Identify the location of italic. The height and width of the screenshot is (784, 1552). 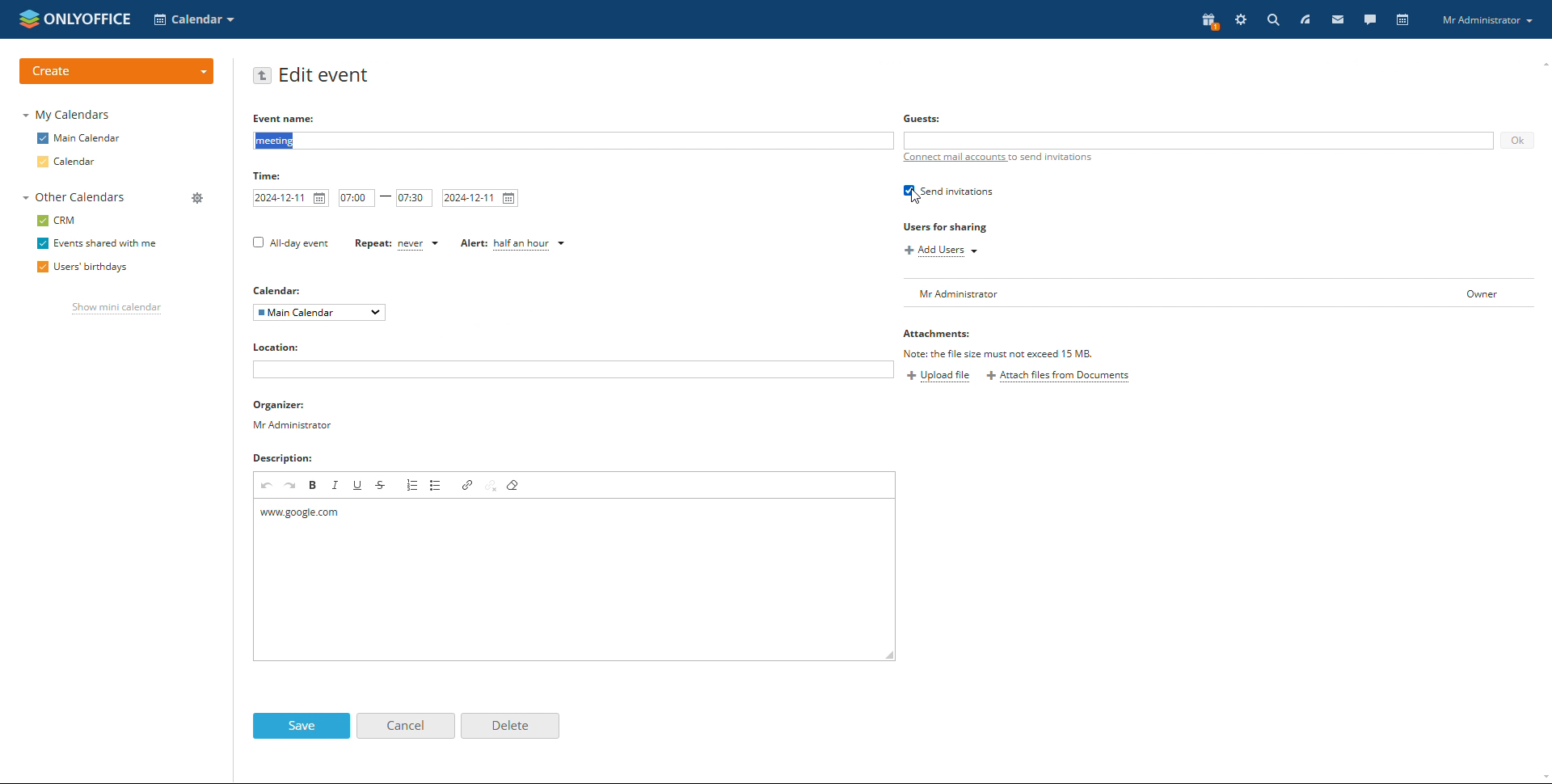
(335, 486).